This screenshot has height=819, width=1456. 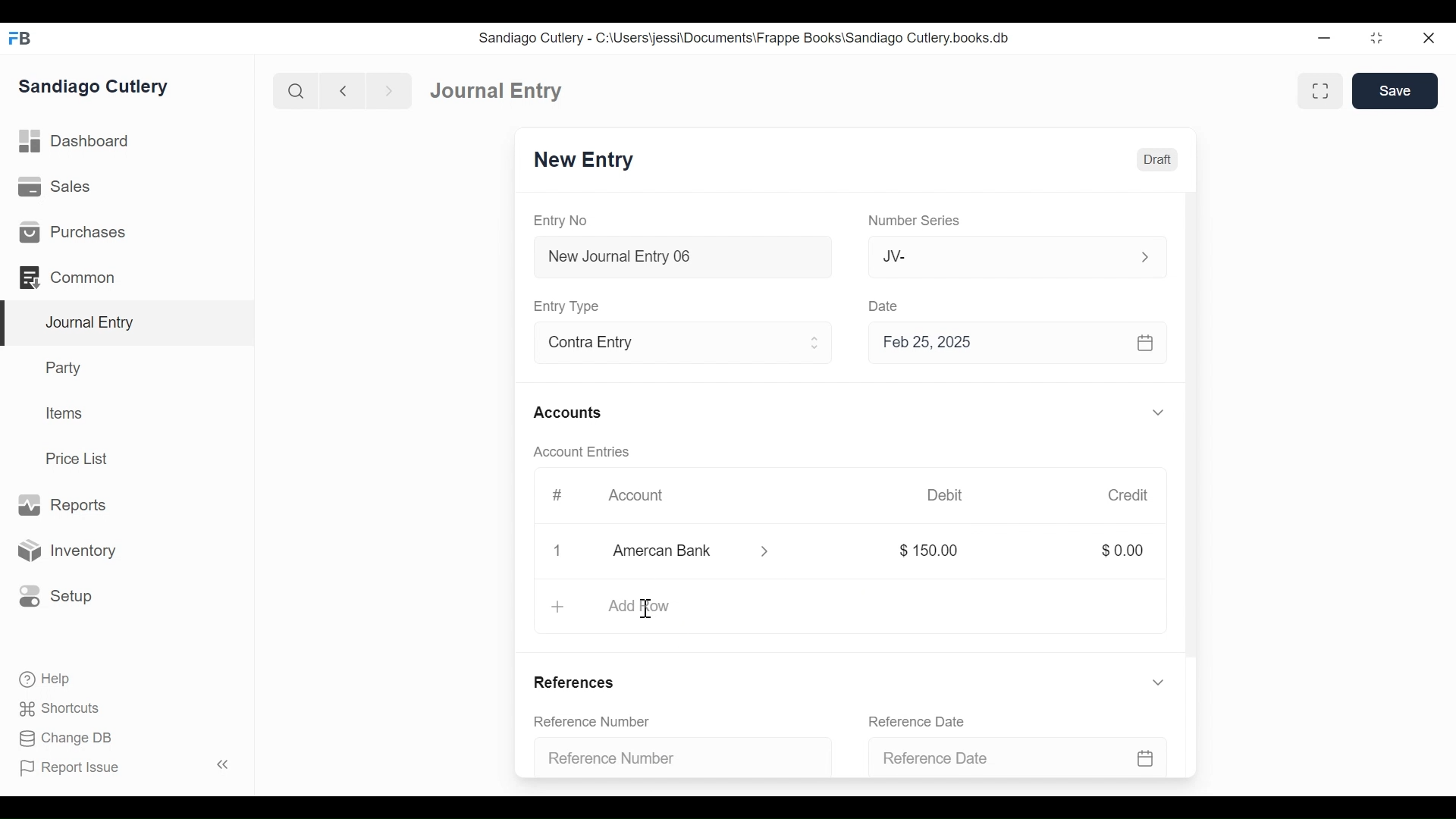 What do you see at coordinates (767, 551) in the screenshot?
I see `Expand` at bounding box center [767, 551].